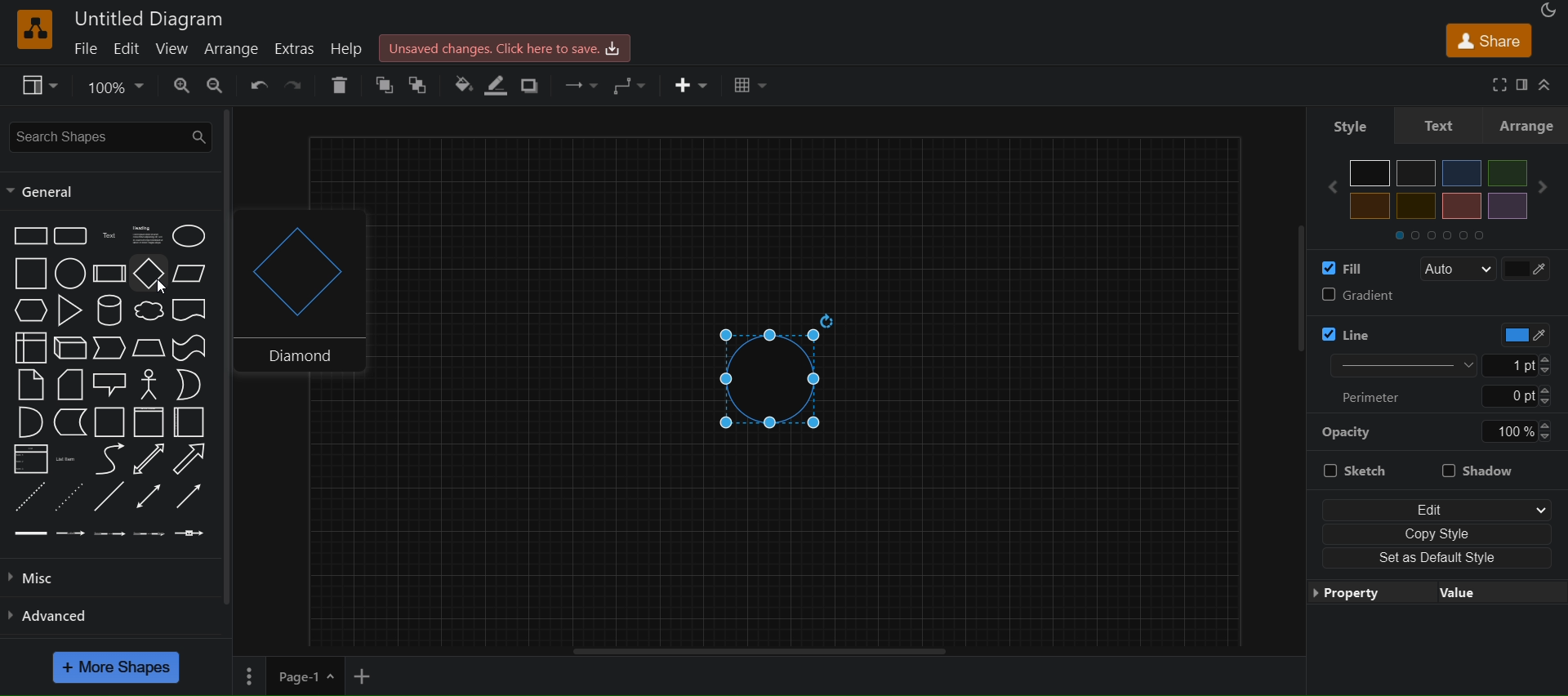 Image resolution: width=1568 pixels, height=696 pixels. I want to click on connector 4, so click(149, 534).